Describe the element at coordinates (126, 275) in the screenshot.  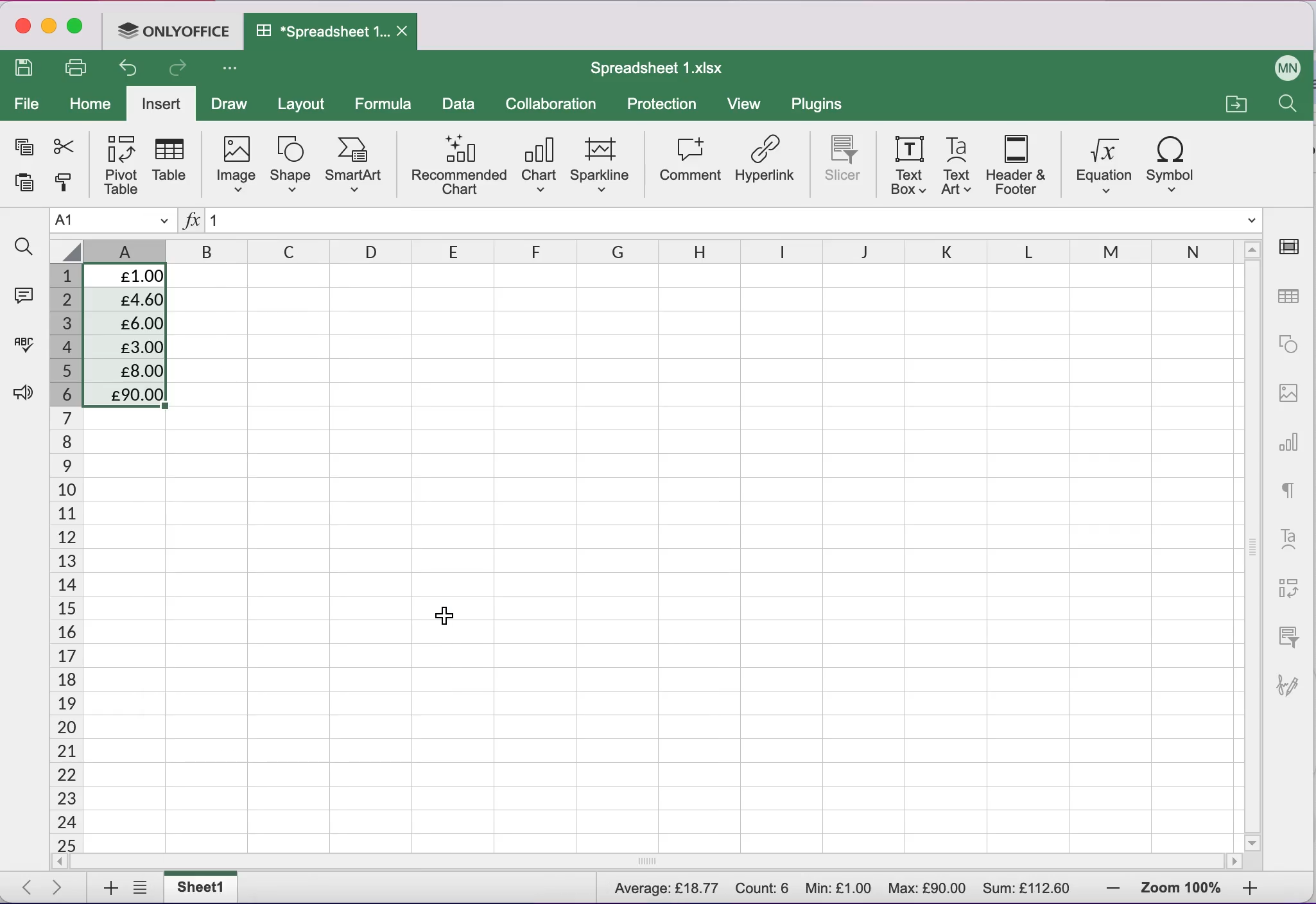
I see `£1.00` at that location.